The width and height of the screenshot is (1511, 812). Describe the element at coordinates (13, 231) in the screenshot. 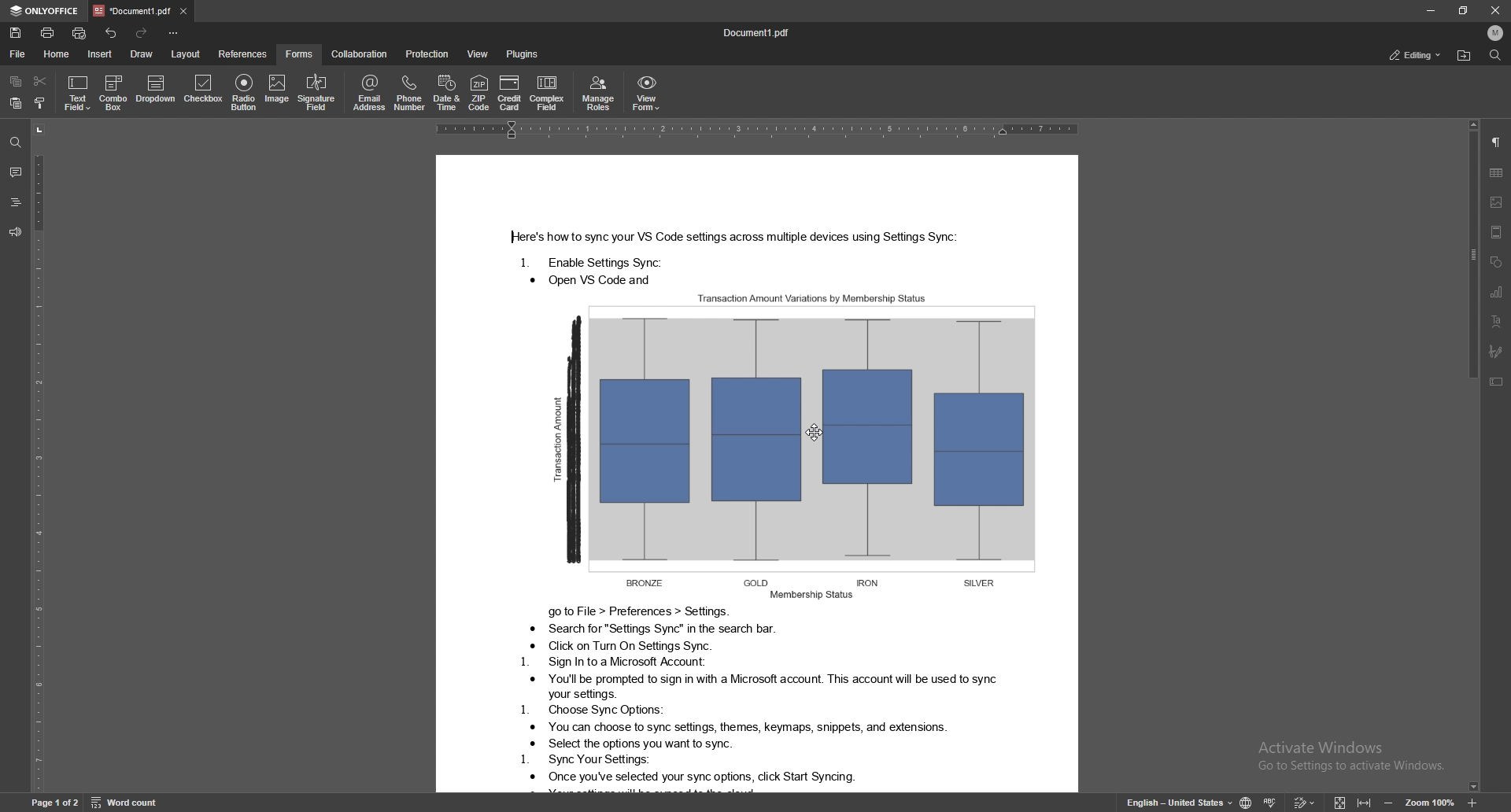

I see `feedback` at that location.